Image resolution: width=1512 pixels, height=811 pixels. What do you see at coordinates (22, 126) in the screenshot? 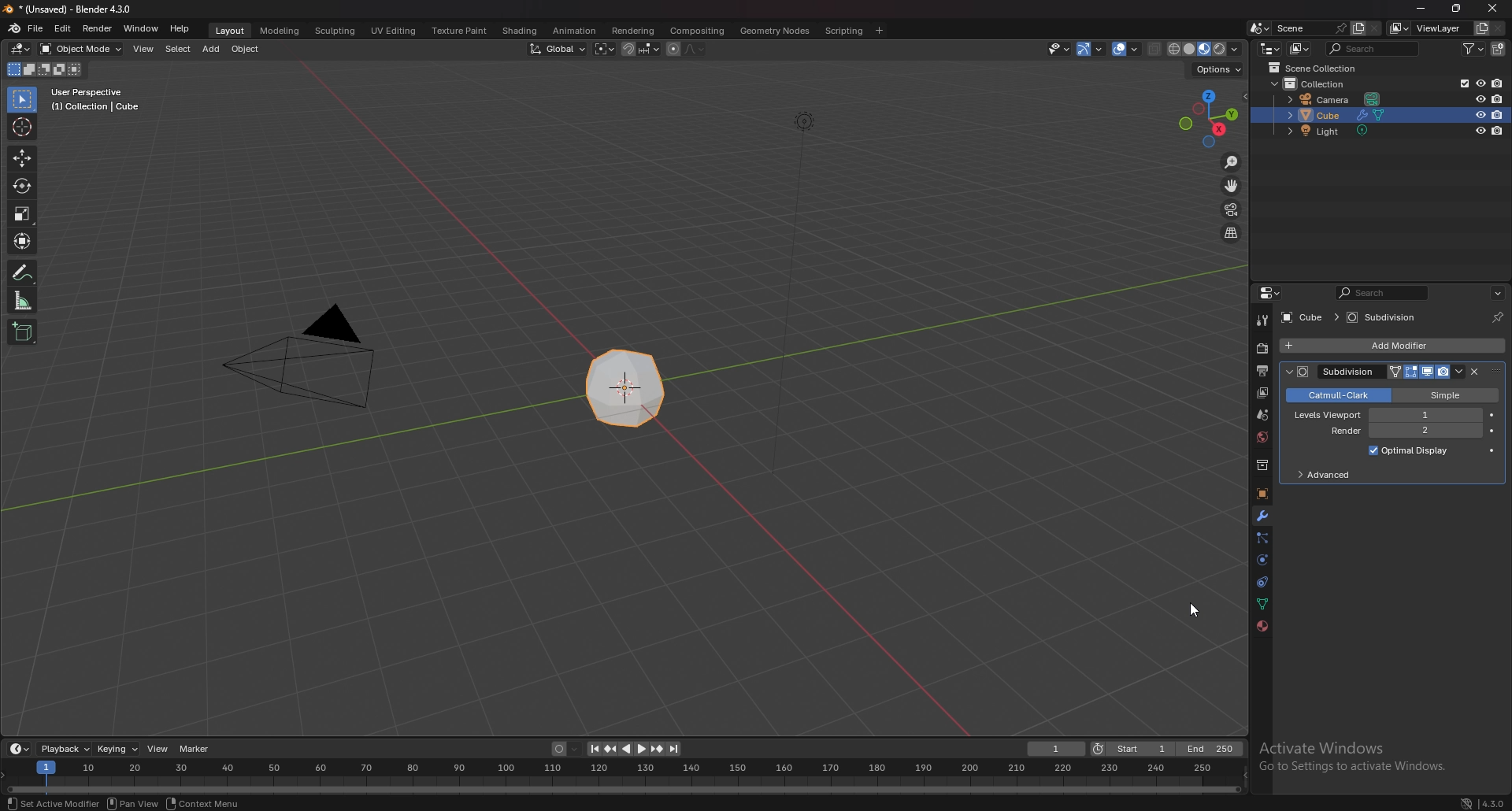
I see `cursor` at bounding box center [22, 126].